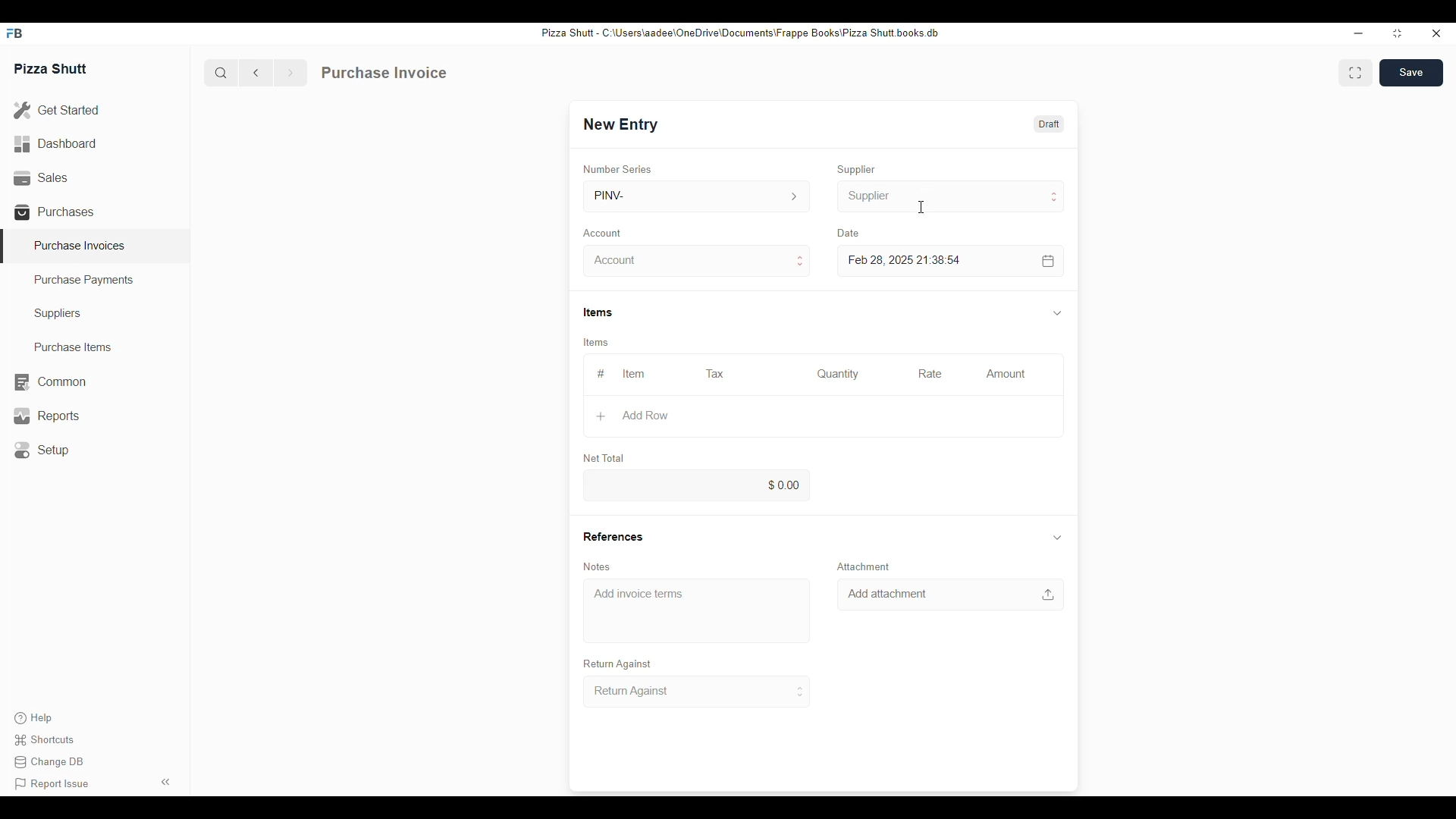  I want to click on cursor, so click(924, 208).